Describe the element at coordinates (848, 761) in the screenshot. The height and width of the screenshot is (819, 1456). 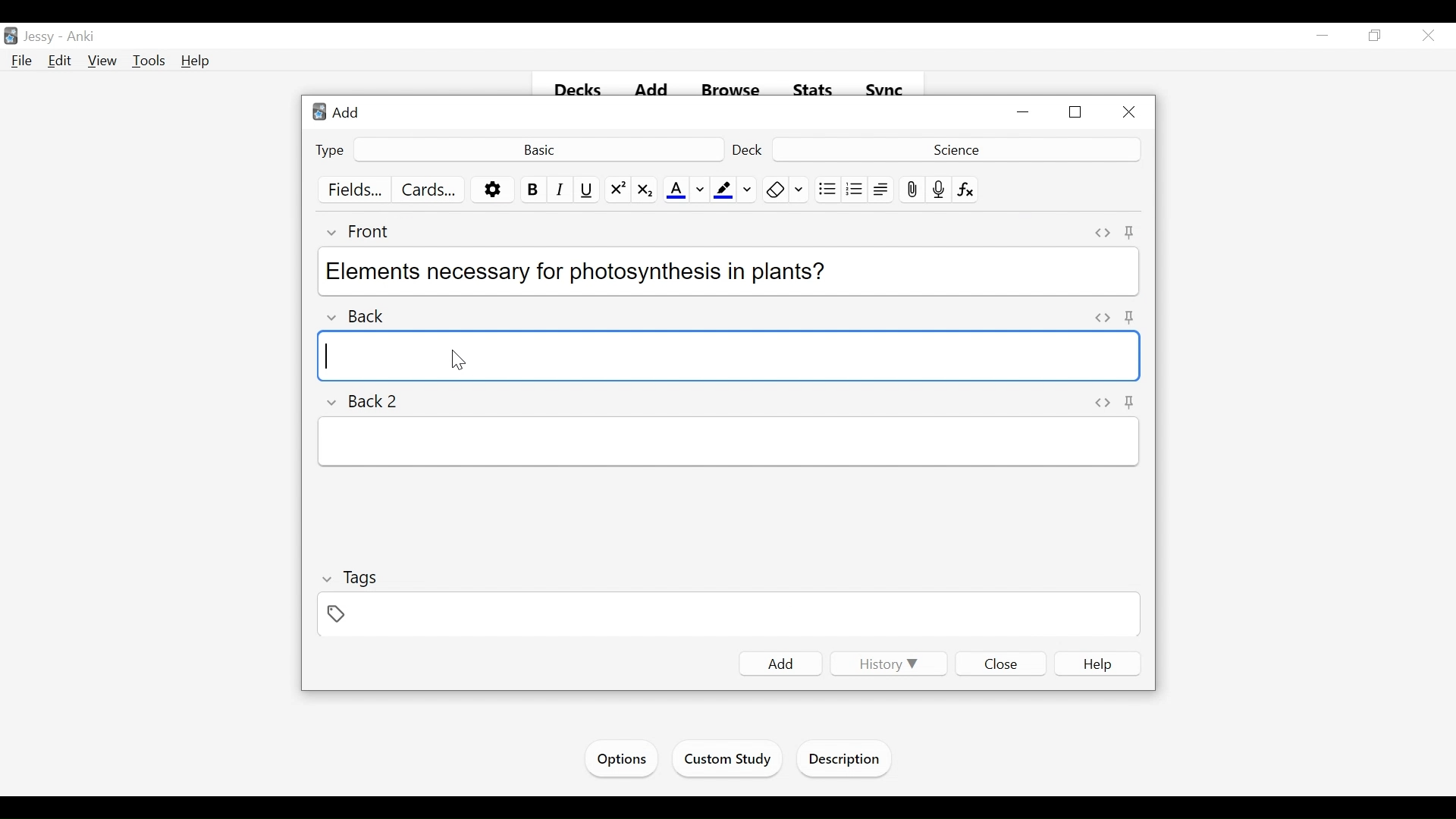
I see `Description` at that location.